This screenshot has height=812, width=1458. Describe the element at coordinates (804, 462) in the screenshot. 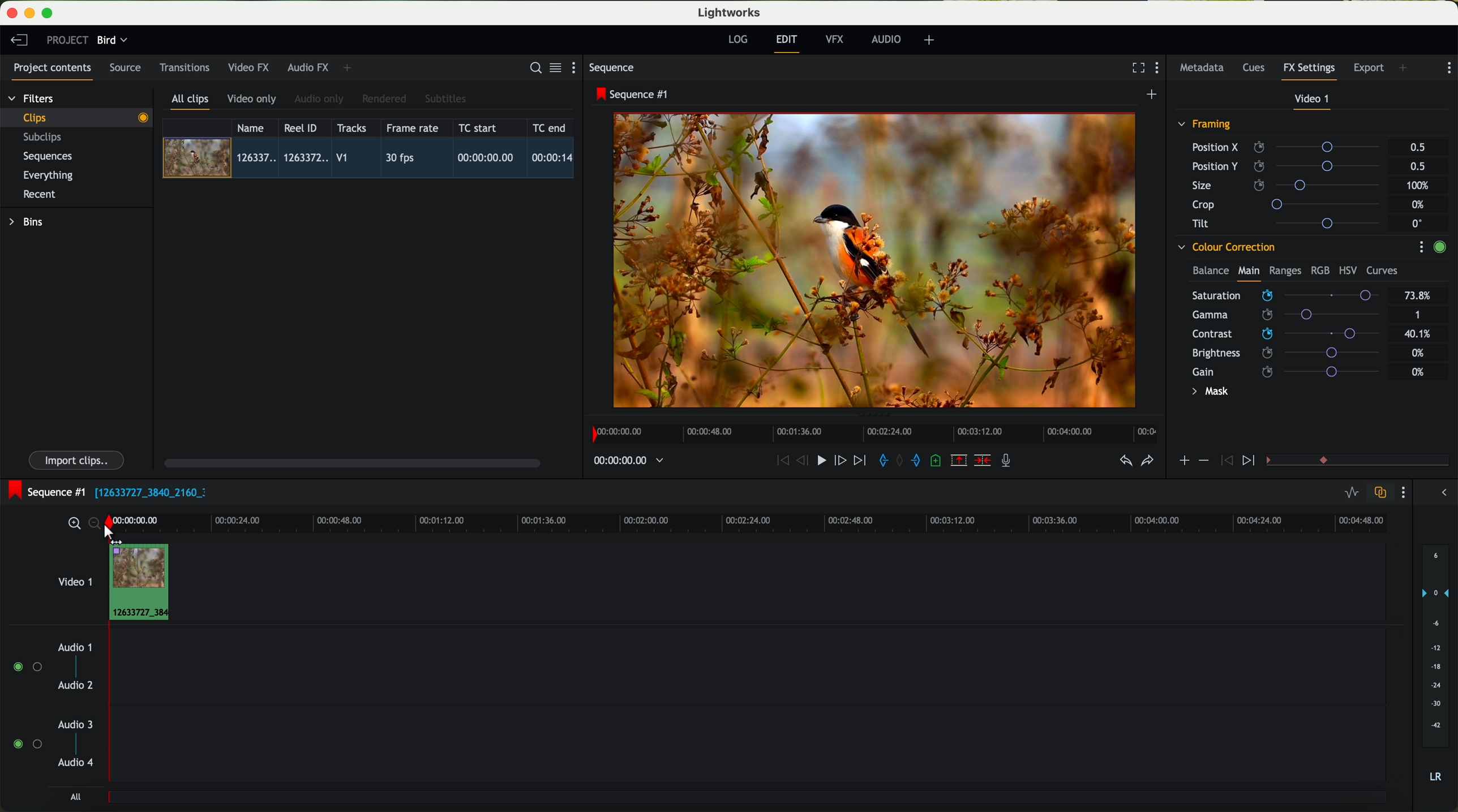

I see `nudge one frame back` at that location.